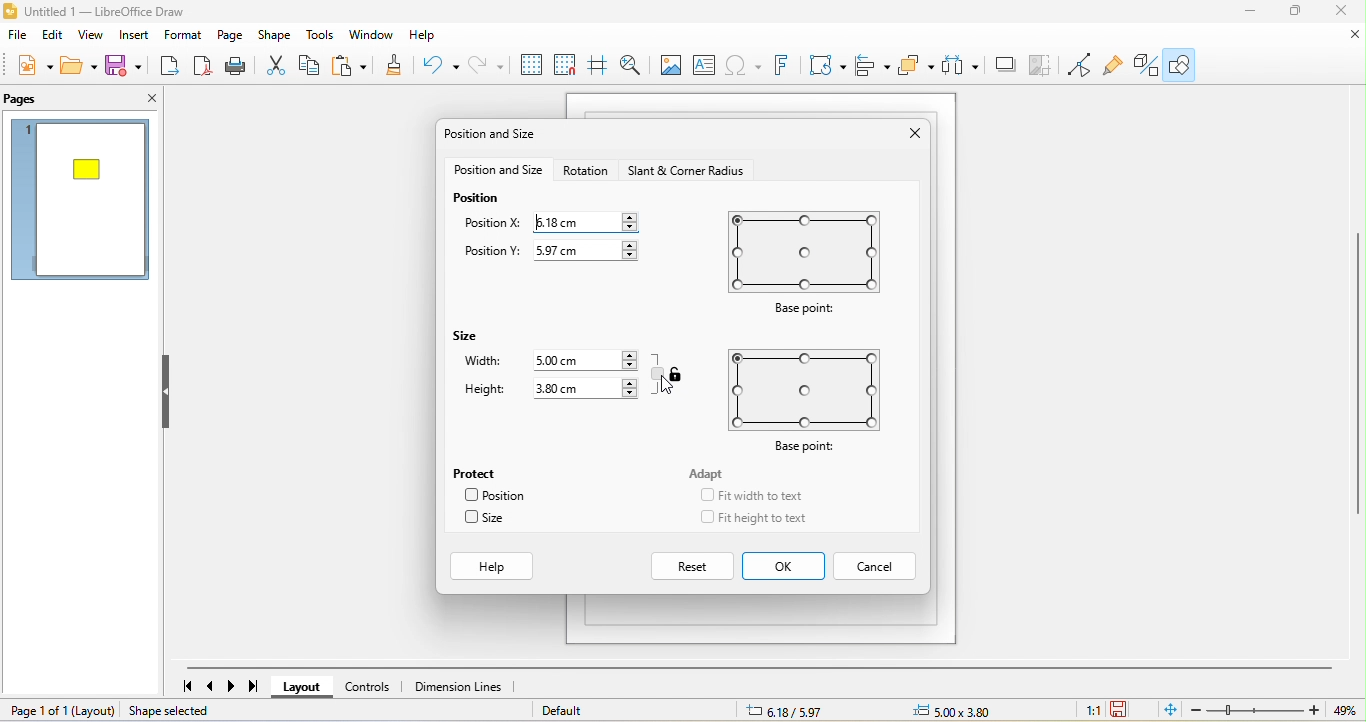 This screenshot has width=1366, height=722. What do you see at coordinates (167, 68) in the screenshot?
I see `export` at bounding box center [167, 68].